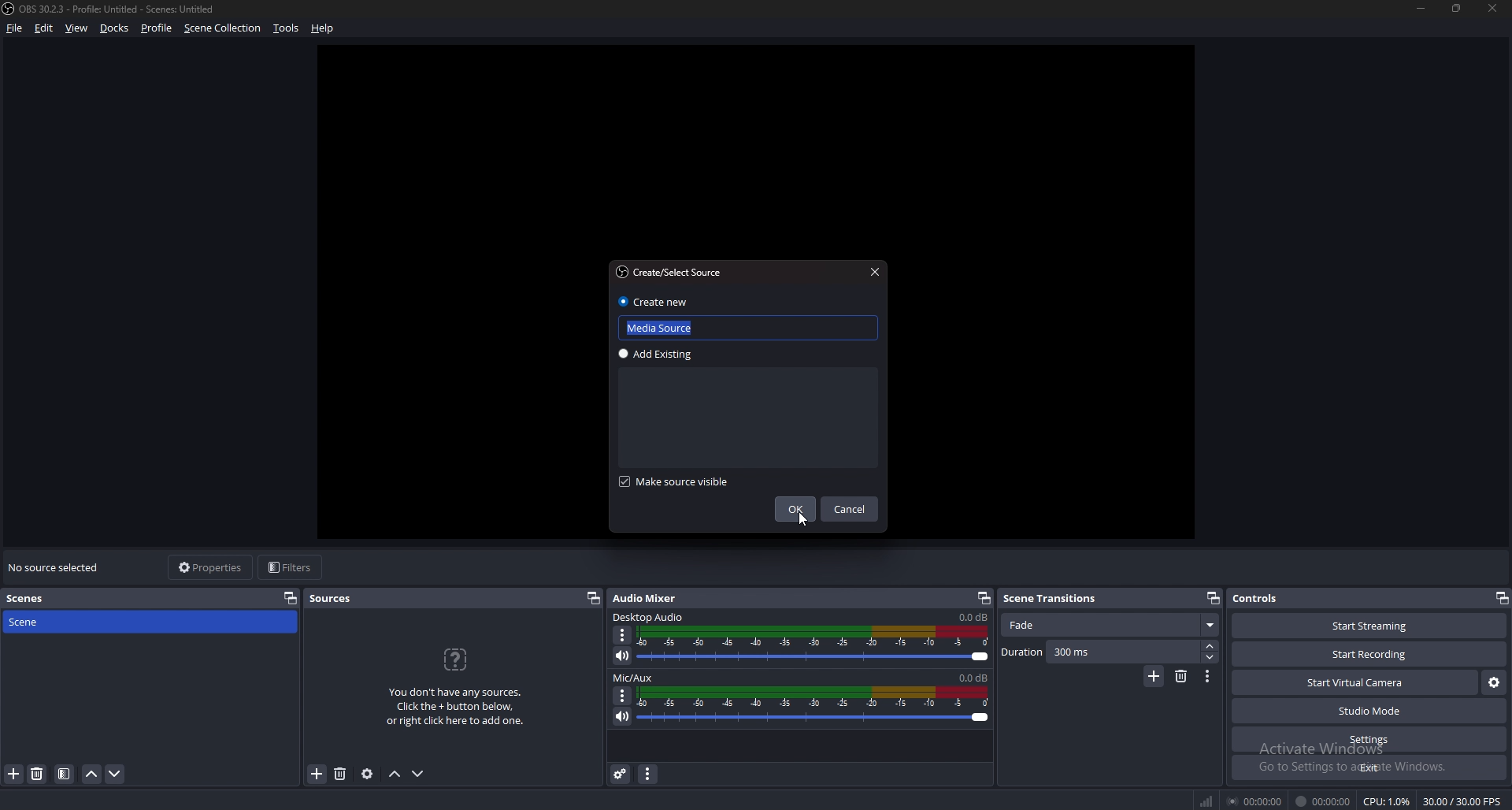 This screenshot has width=1512, height=810. What do you see at coordinates (1370, 711) in the screenshot?
I see `Studio mode` at bounding box center [1370, 711].